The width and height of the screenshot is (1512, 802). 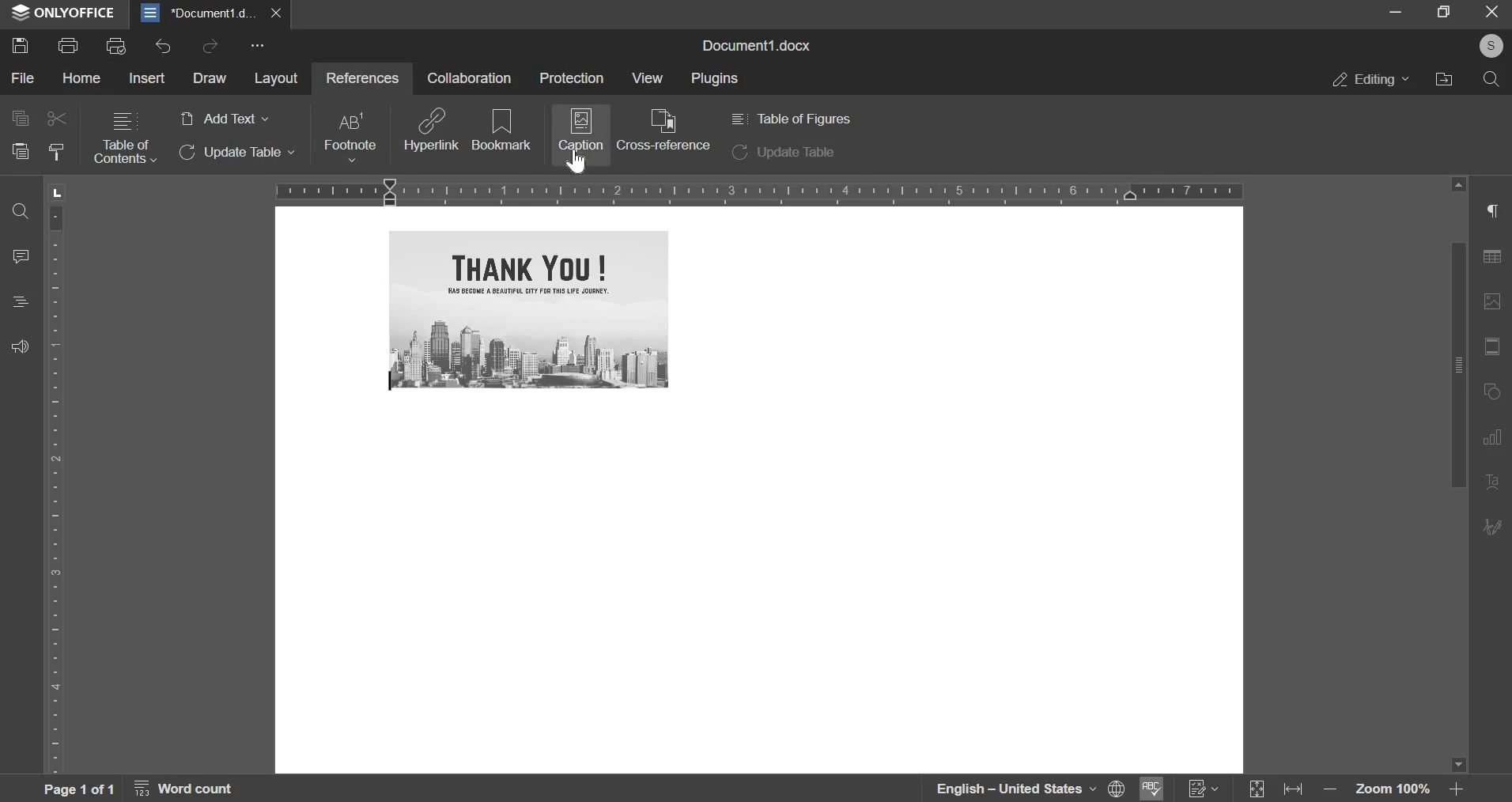 I want to click on ONLYOFFICE, so click(x=63, y=13).